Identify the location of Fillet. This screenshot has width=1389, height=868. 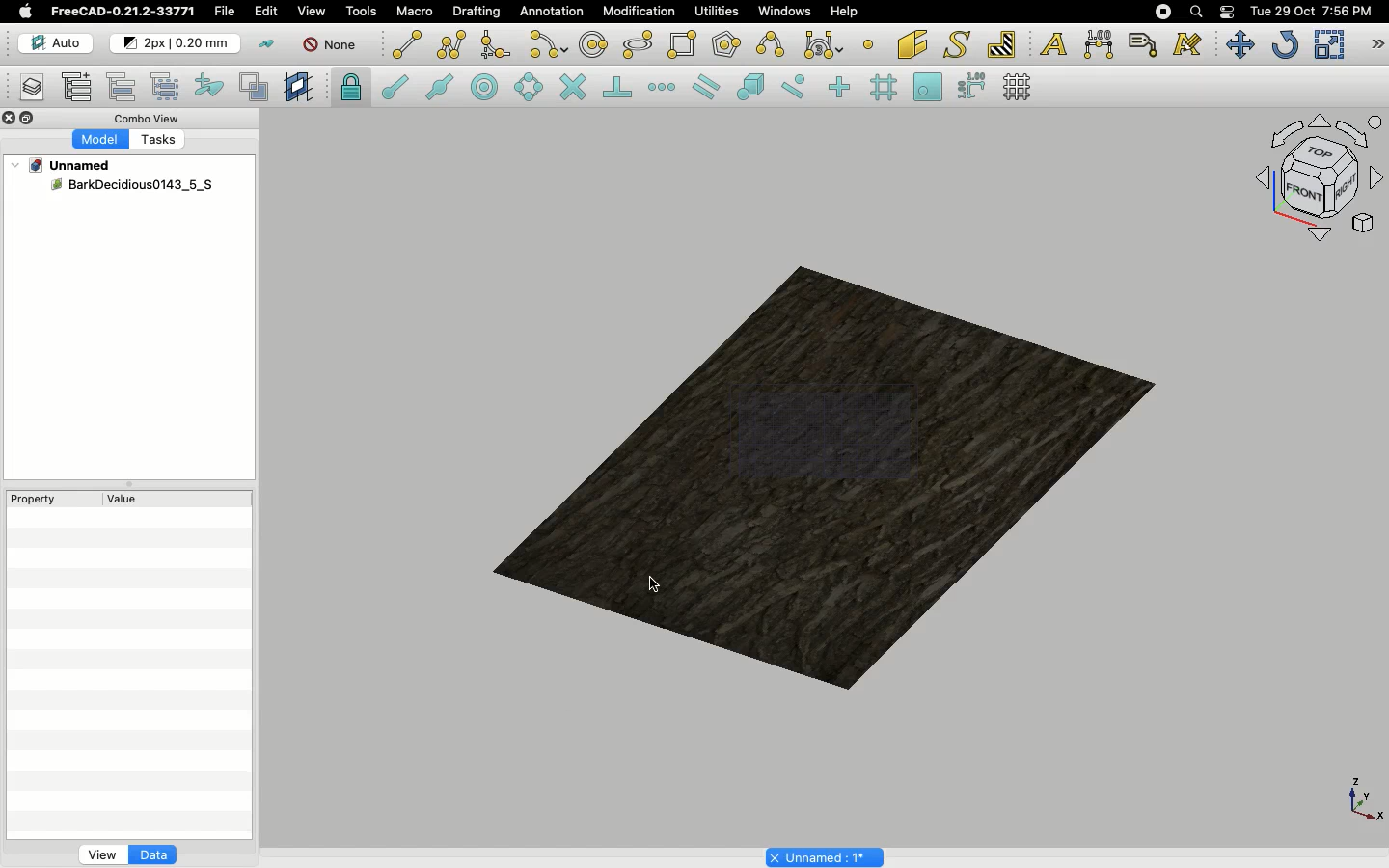
(494, 47).